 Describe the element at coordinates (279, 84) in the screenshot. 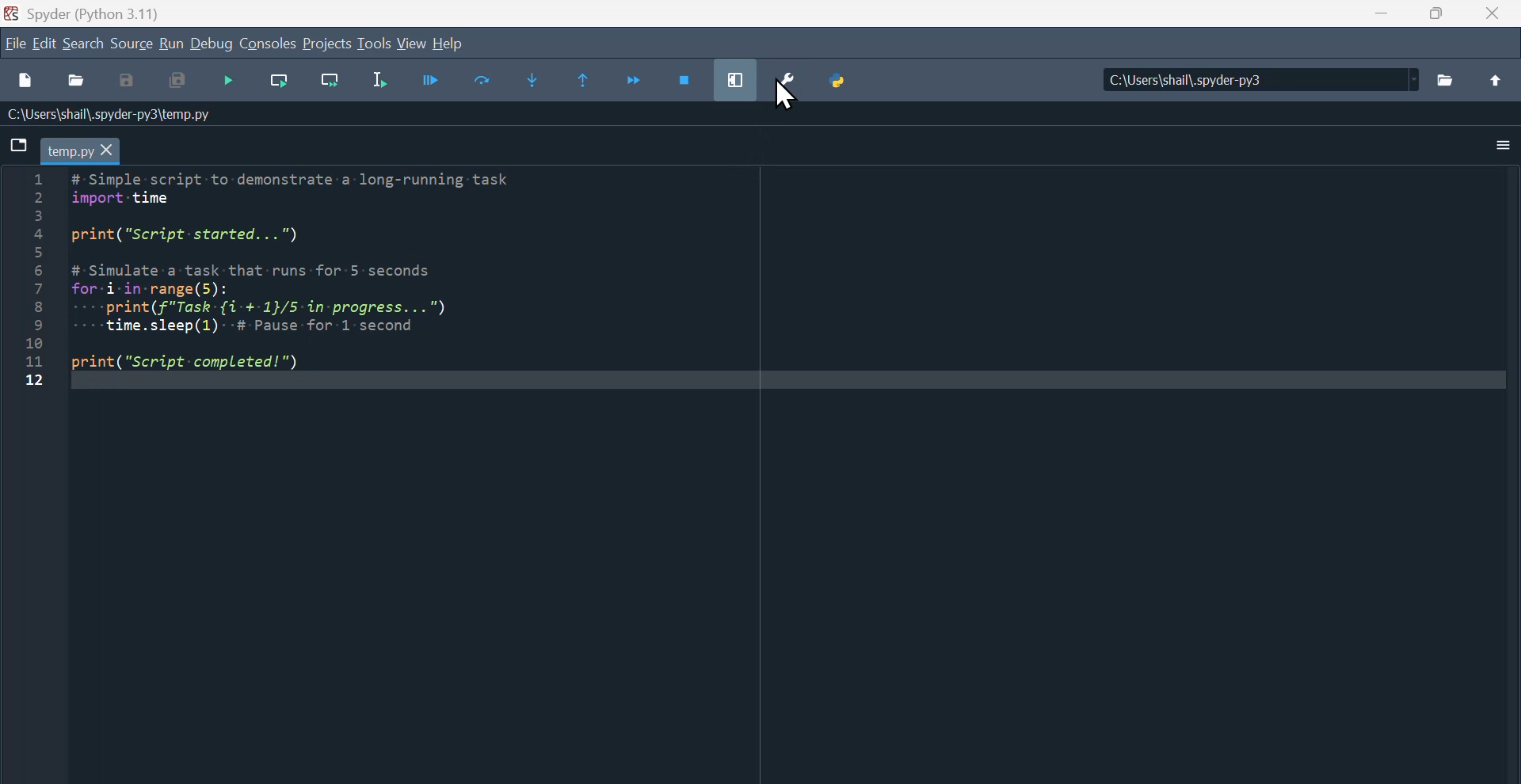

I see `run current line` at that location.